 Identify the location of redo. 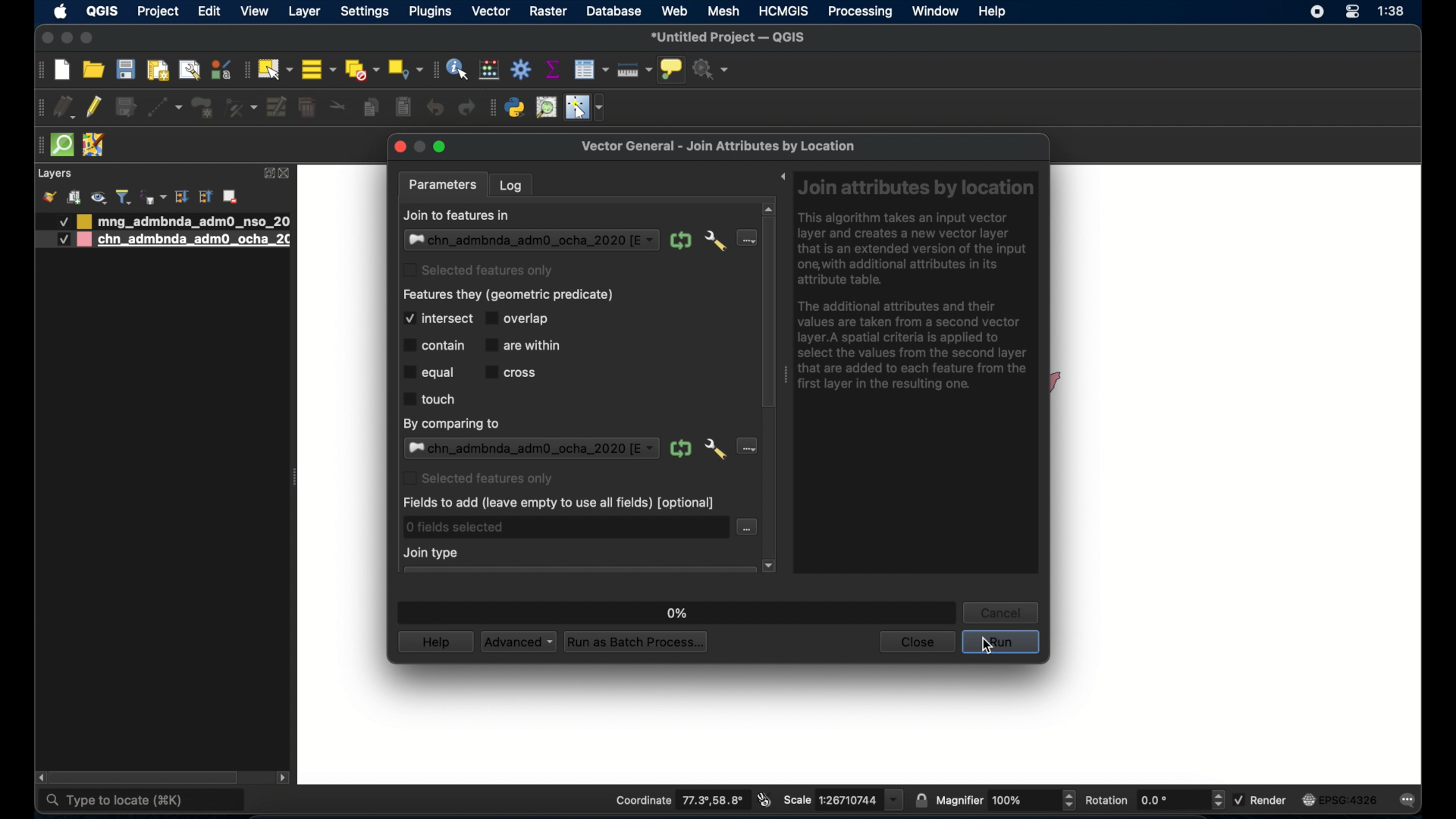
(466, 109).